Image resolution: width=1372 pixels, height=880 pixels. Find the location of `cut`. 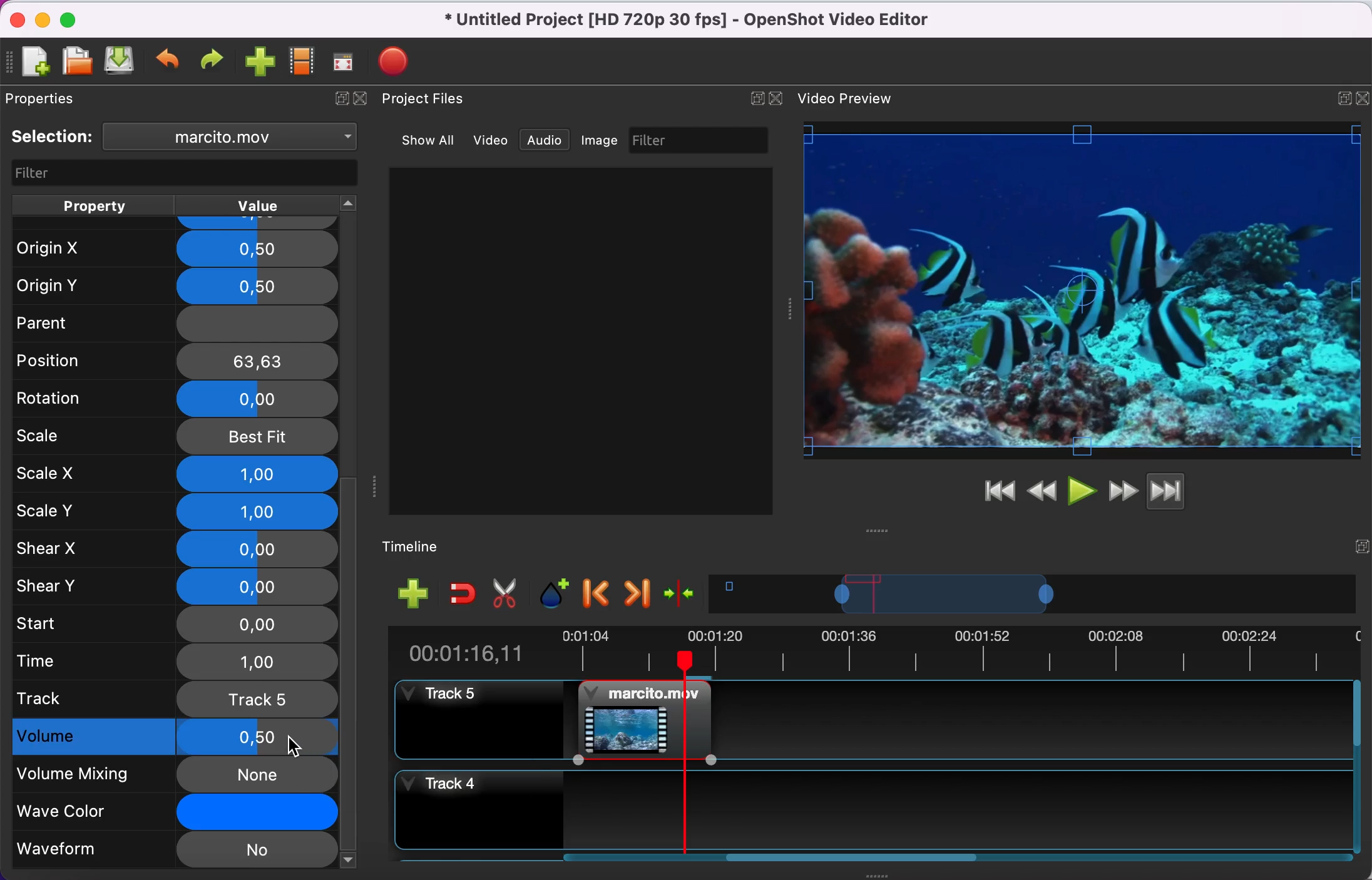

cut is located at coordinates (509, 595).